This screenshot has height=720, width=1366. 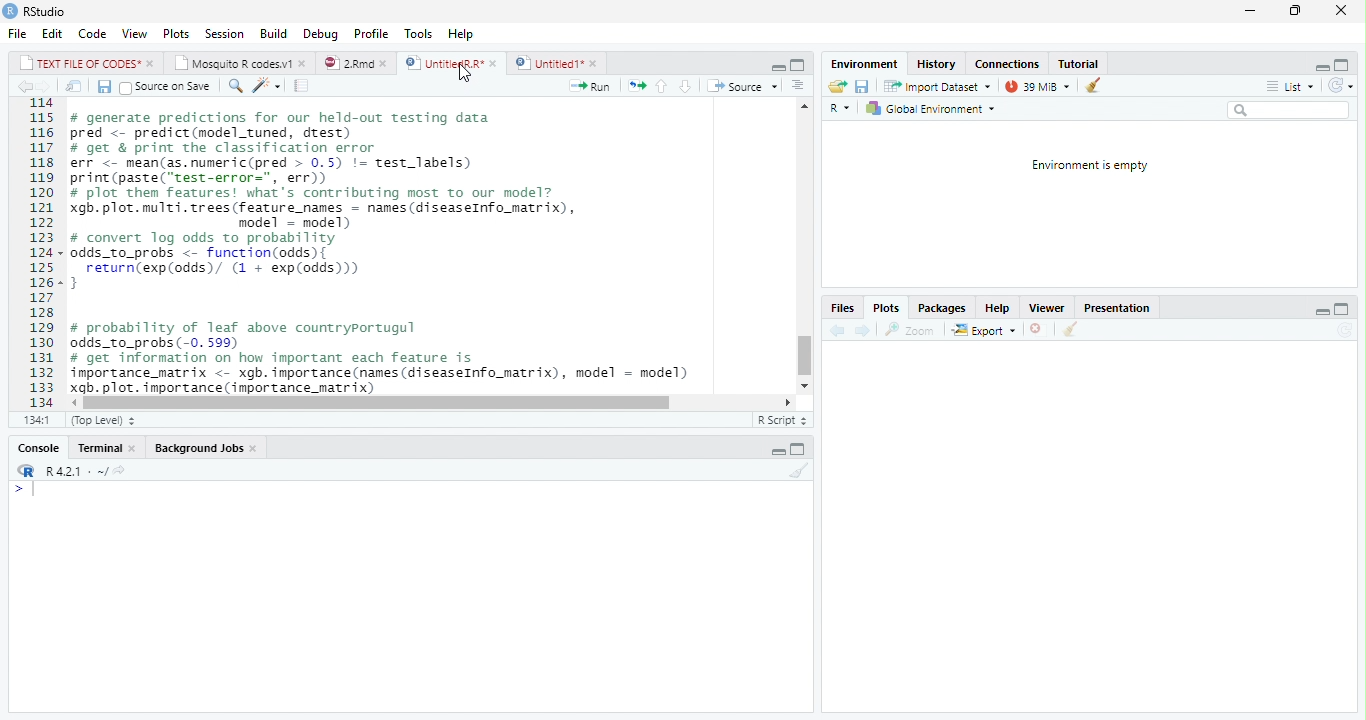 I want to click on Session, so click(x=225, y=33).